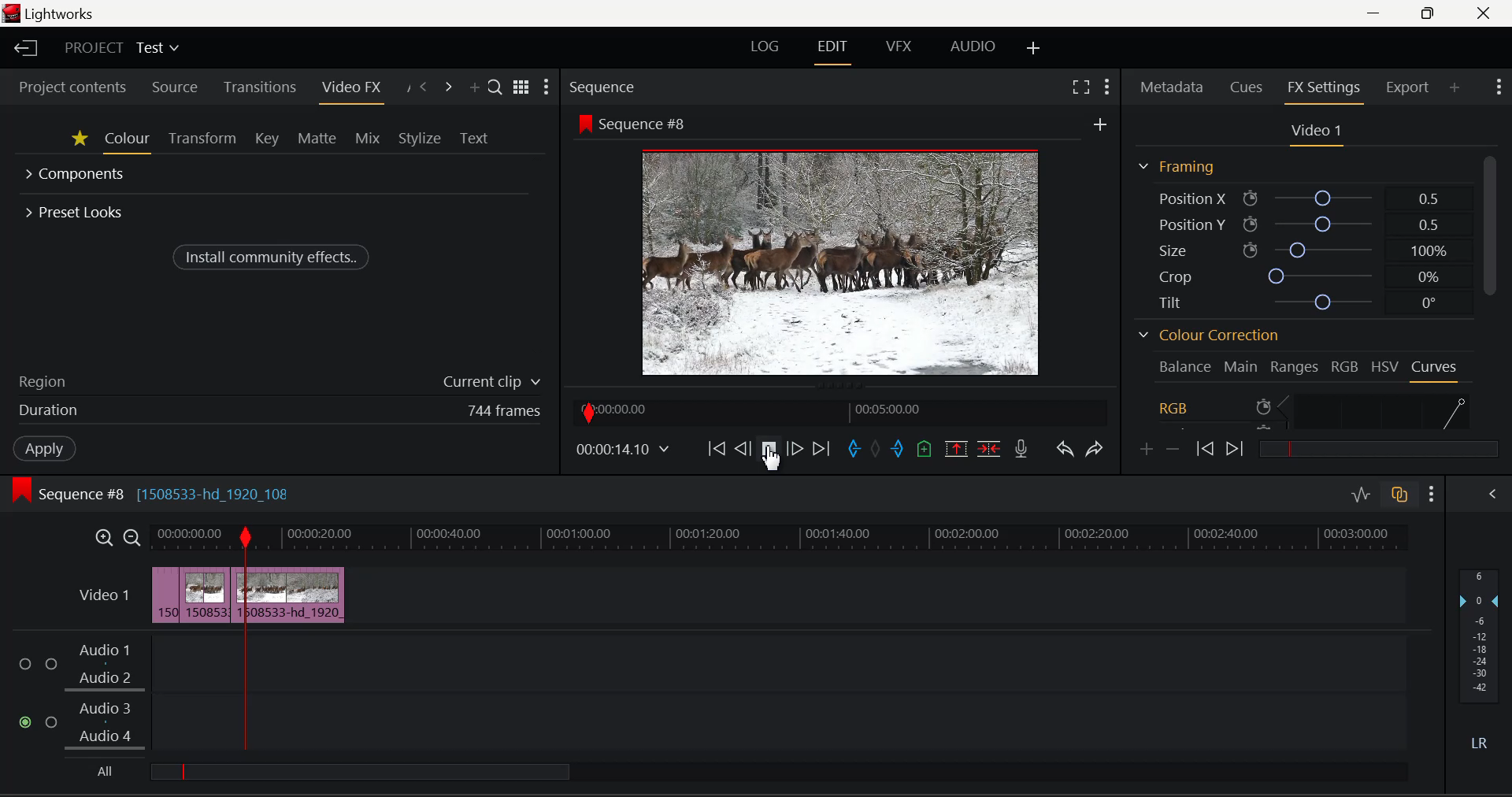  Describe the element at coordinates (773, 463) in the screenshot. I see `cursor` at that location.